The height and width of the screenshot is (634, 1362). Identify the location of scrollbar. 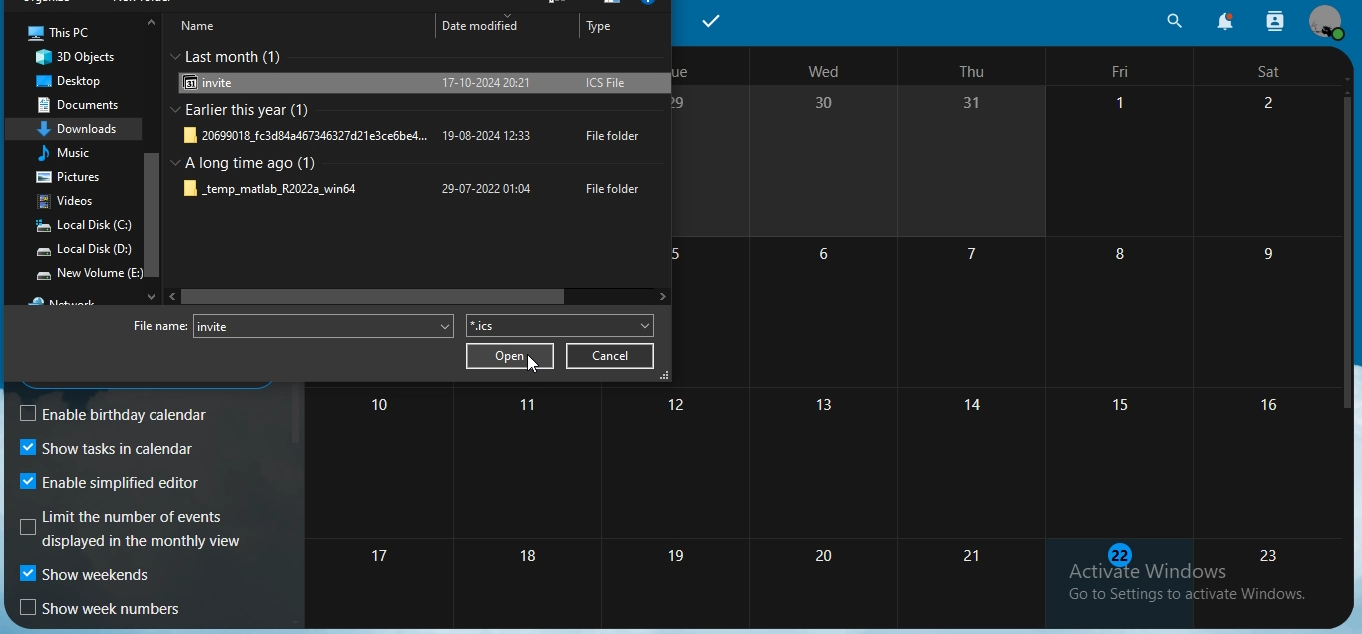
(1350, 255).